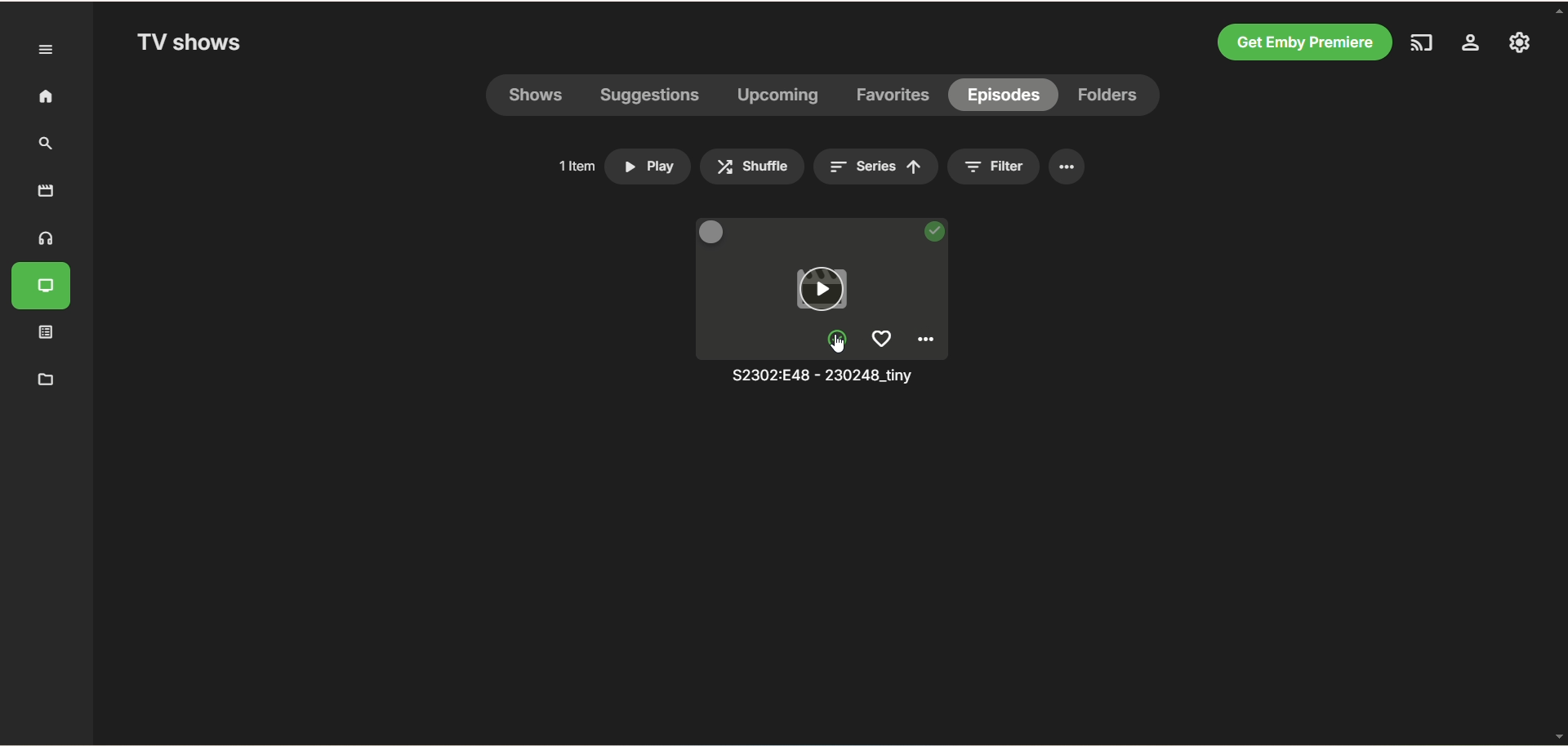 This screenshot has height=746, width=1568. What do you see at coordinates (875, 167) in the screenshot?
I see `= series` at bounding box center [875, 167].